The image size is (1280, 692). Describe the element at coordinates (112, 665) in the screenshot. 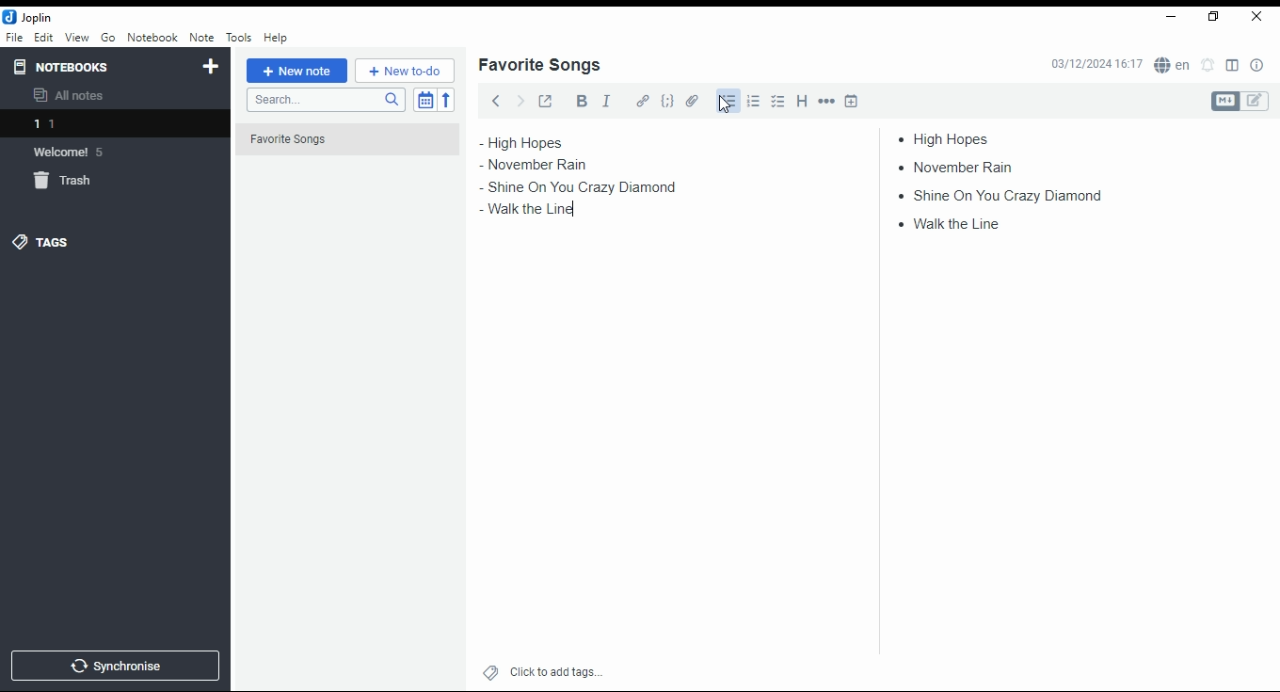

I see `synchronise` at that location.